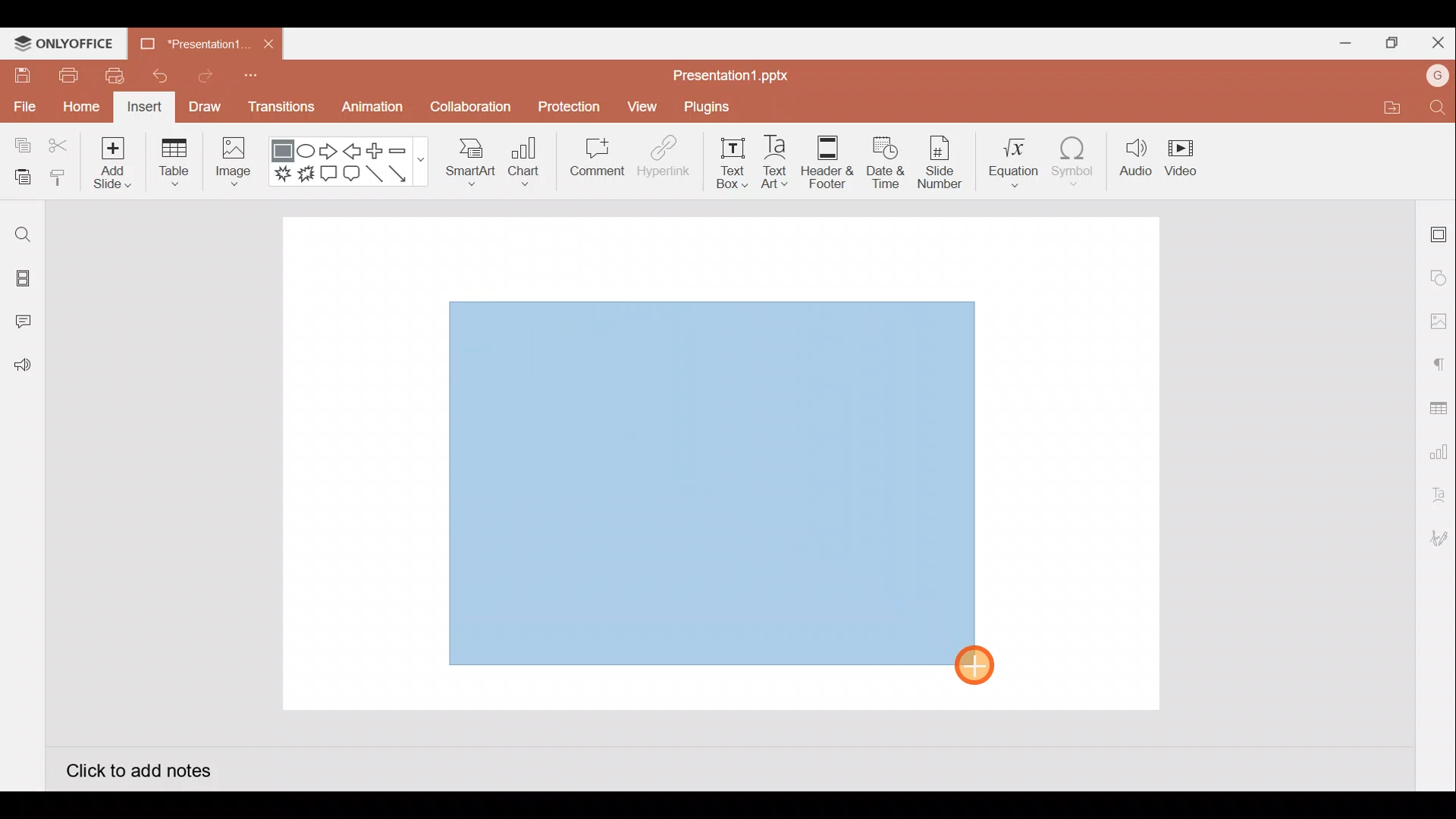 Image resolution: width=1456 pixels, height=819 pixels. What do you see at coordinates (81, 108) in the screenshot?
I see `Home` at bounding box center [81, 108].